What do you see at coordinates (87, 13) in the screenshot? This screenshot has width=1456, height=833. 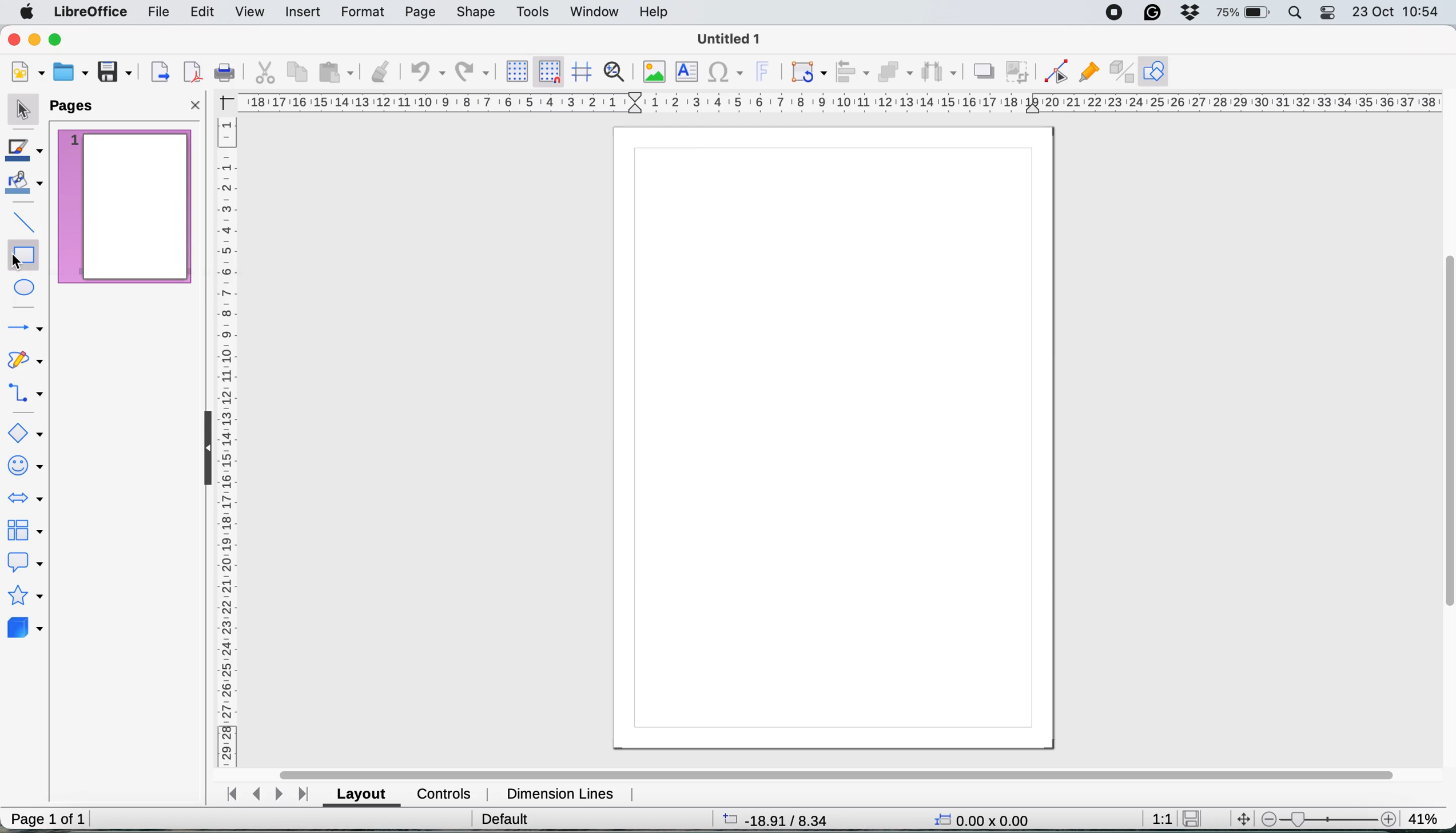 I see `libreoffice` at bounding box center [87, 13].